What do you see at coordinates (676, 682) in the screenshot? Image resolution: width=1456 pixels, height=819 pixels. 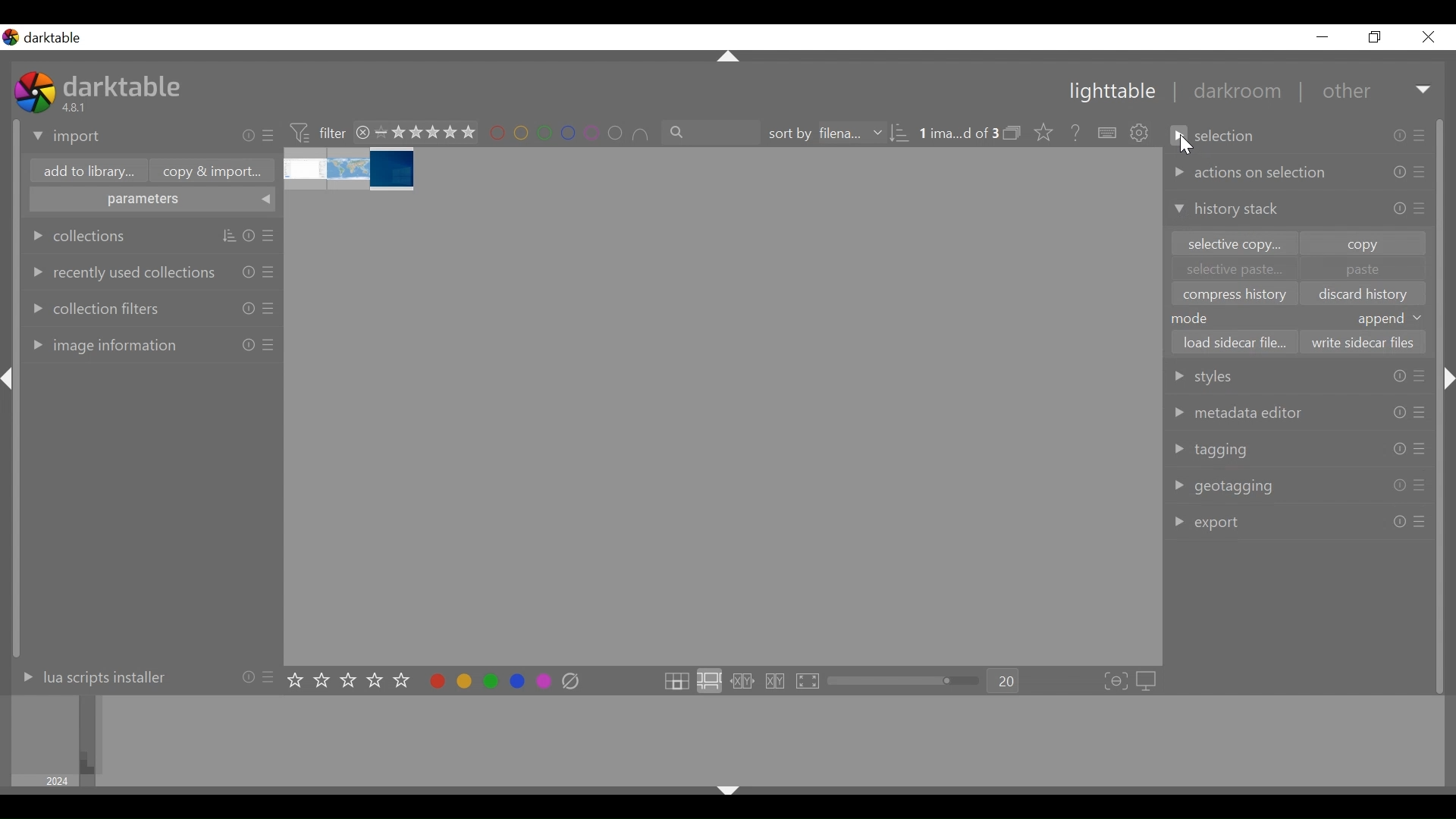 I see `click to enter filemanger` at bounding box center [676, 682].